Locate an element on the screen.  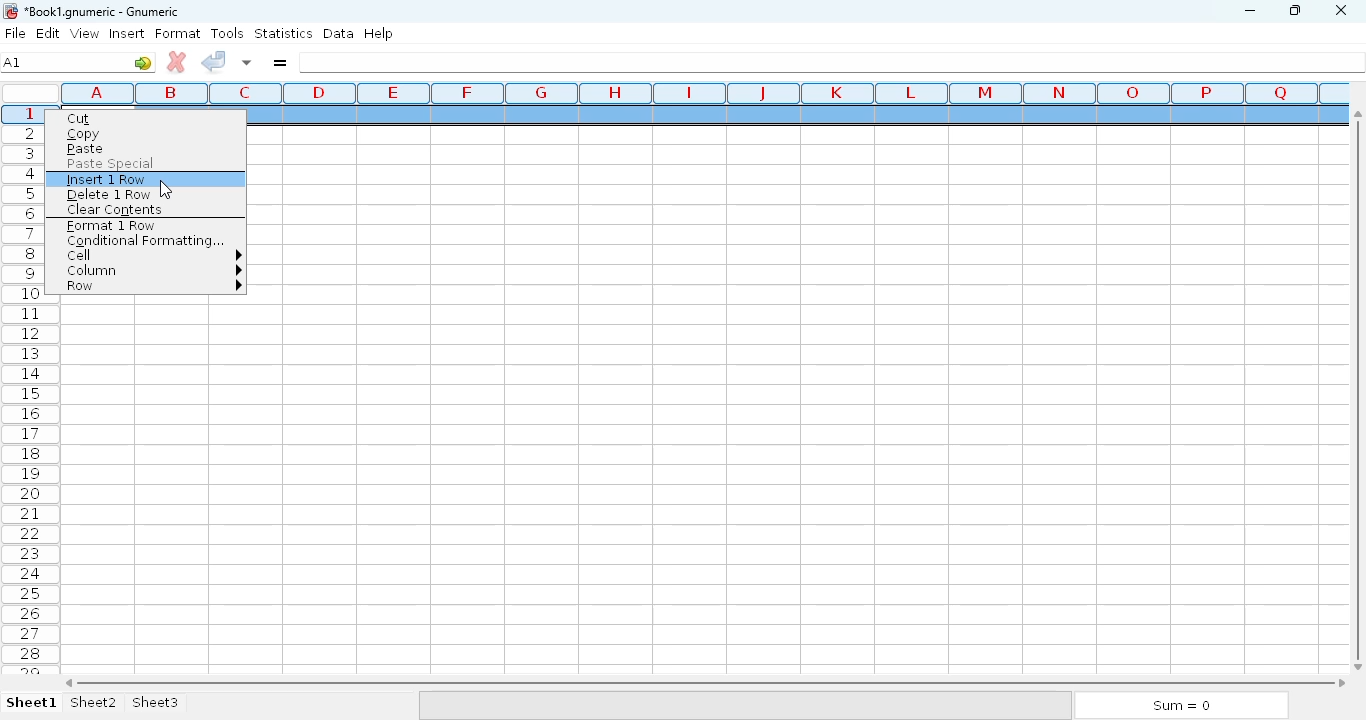
row is located at coordinates (152, 286).